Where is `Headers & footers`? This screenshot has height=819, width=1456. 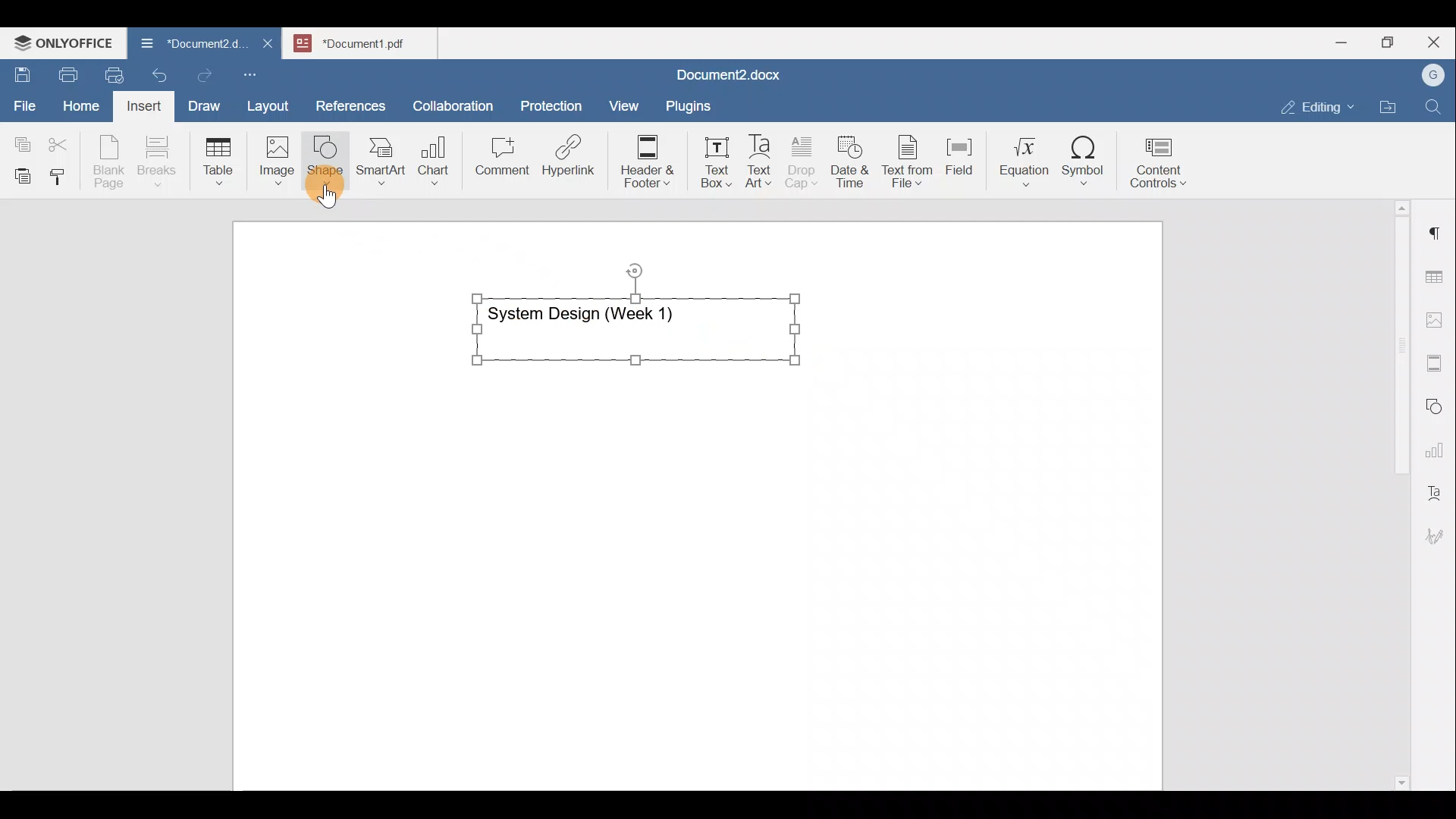 Headers & footers is located at coordinates (1437, 359).